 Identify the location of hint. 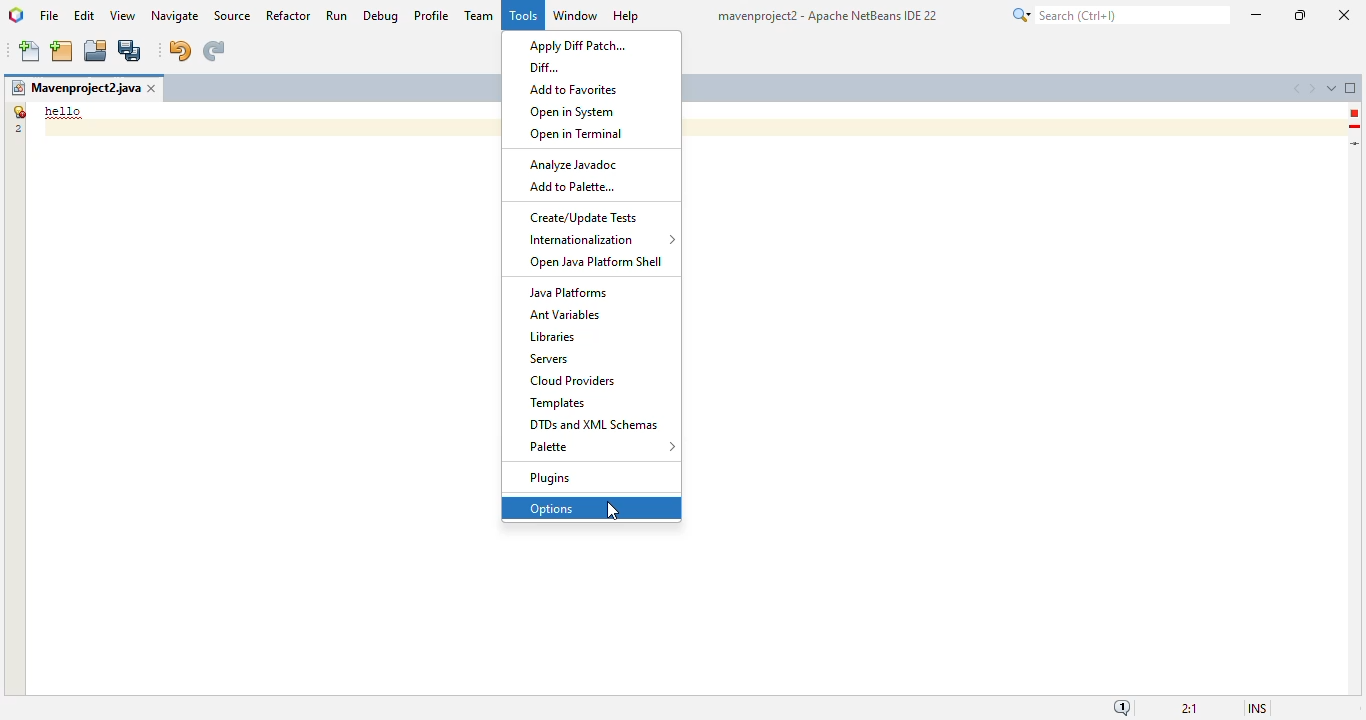
(1355, 127).